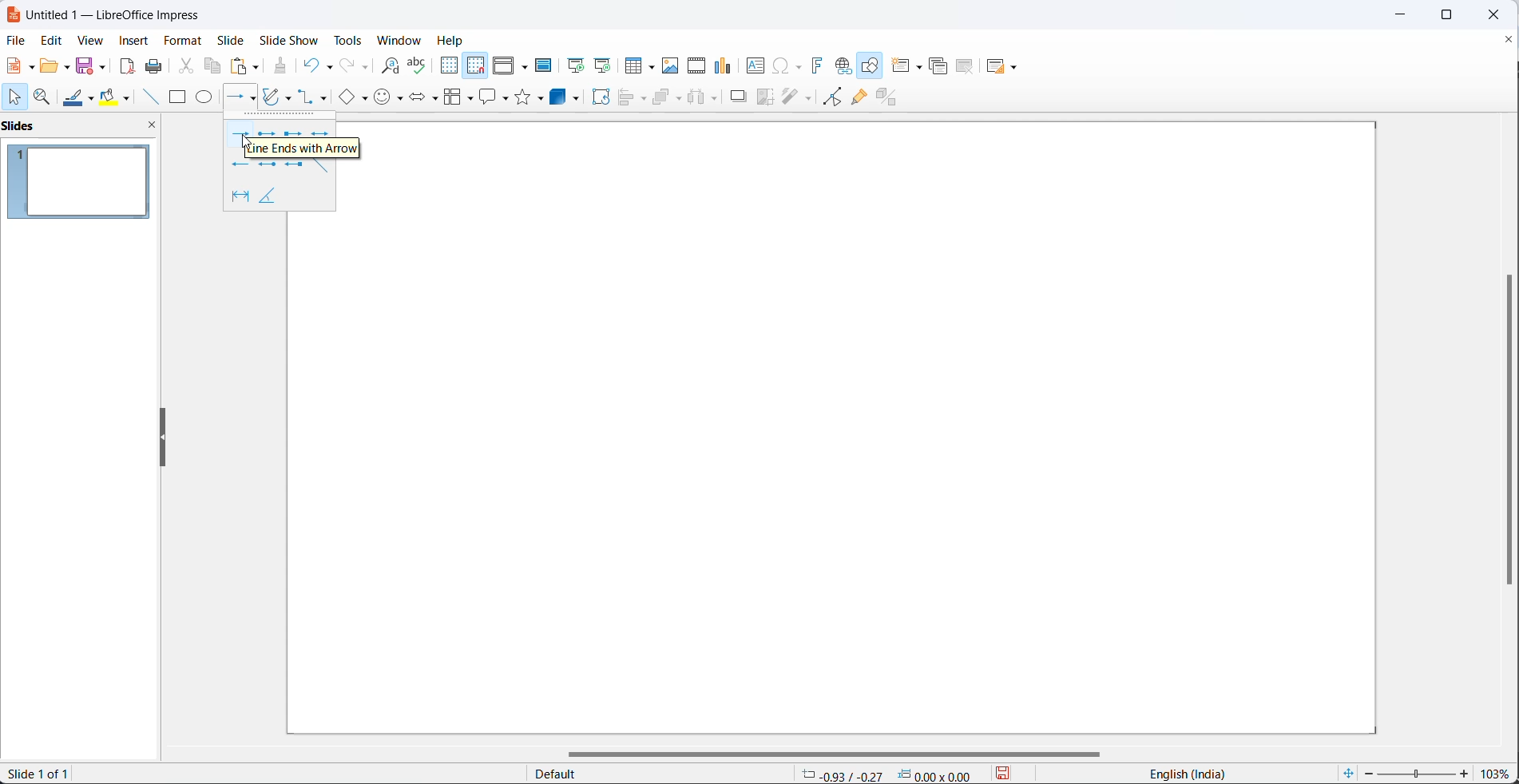  Describe the element at coordinates (909, 65) in the screenshot. I see `new slide ` at that location.